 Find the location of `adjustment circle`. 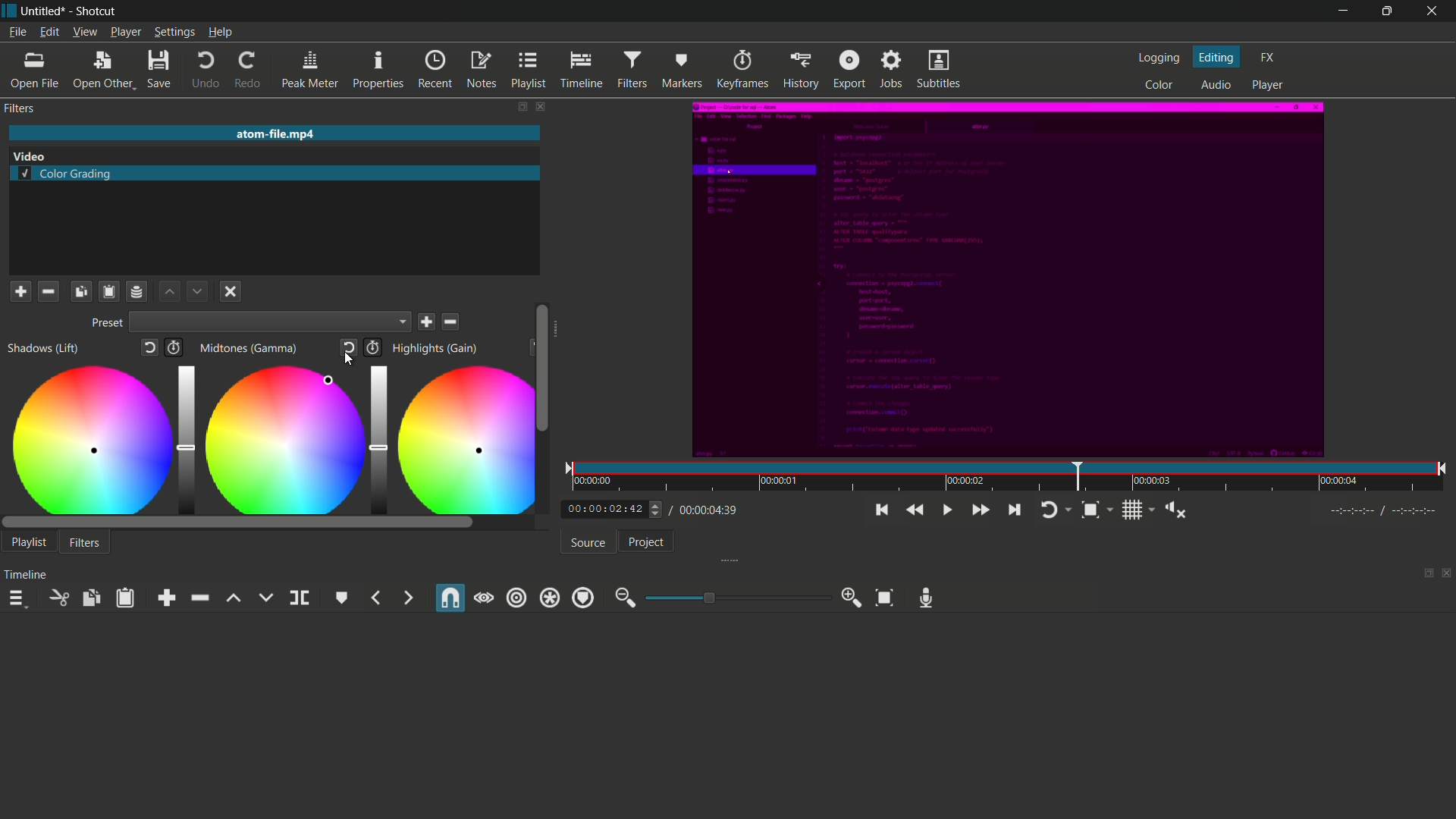

adjustment circle is located at coordinates (281, 441).